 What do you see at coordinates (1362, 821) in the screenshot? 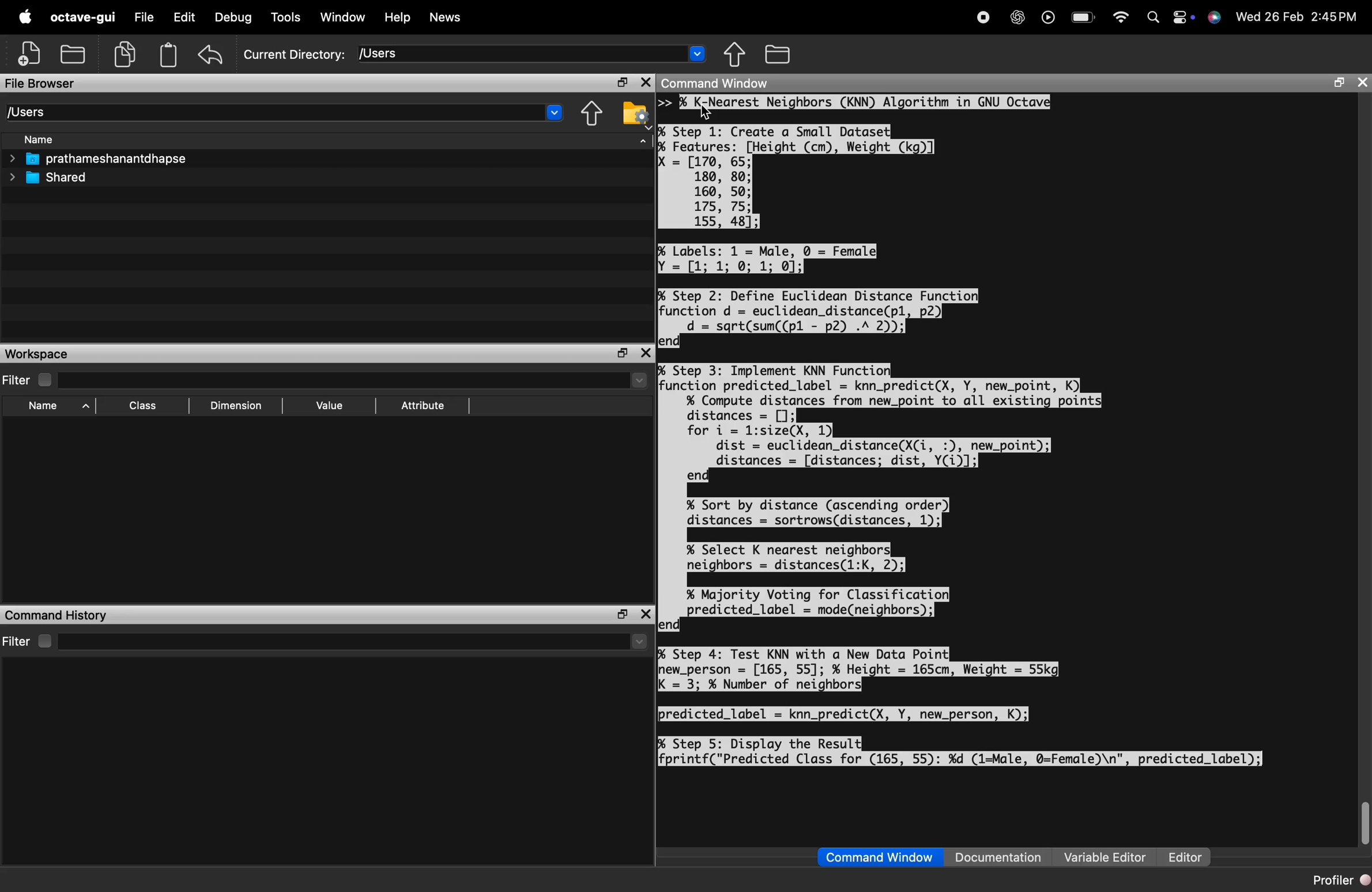
I see `scroll bar` at bounding box center [1362, 821].